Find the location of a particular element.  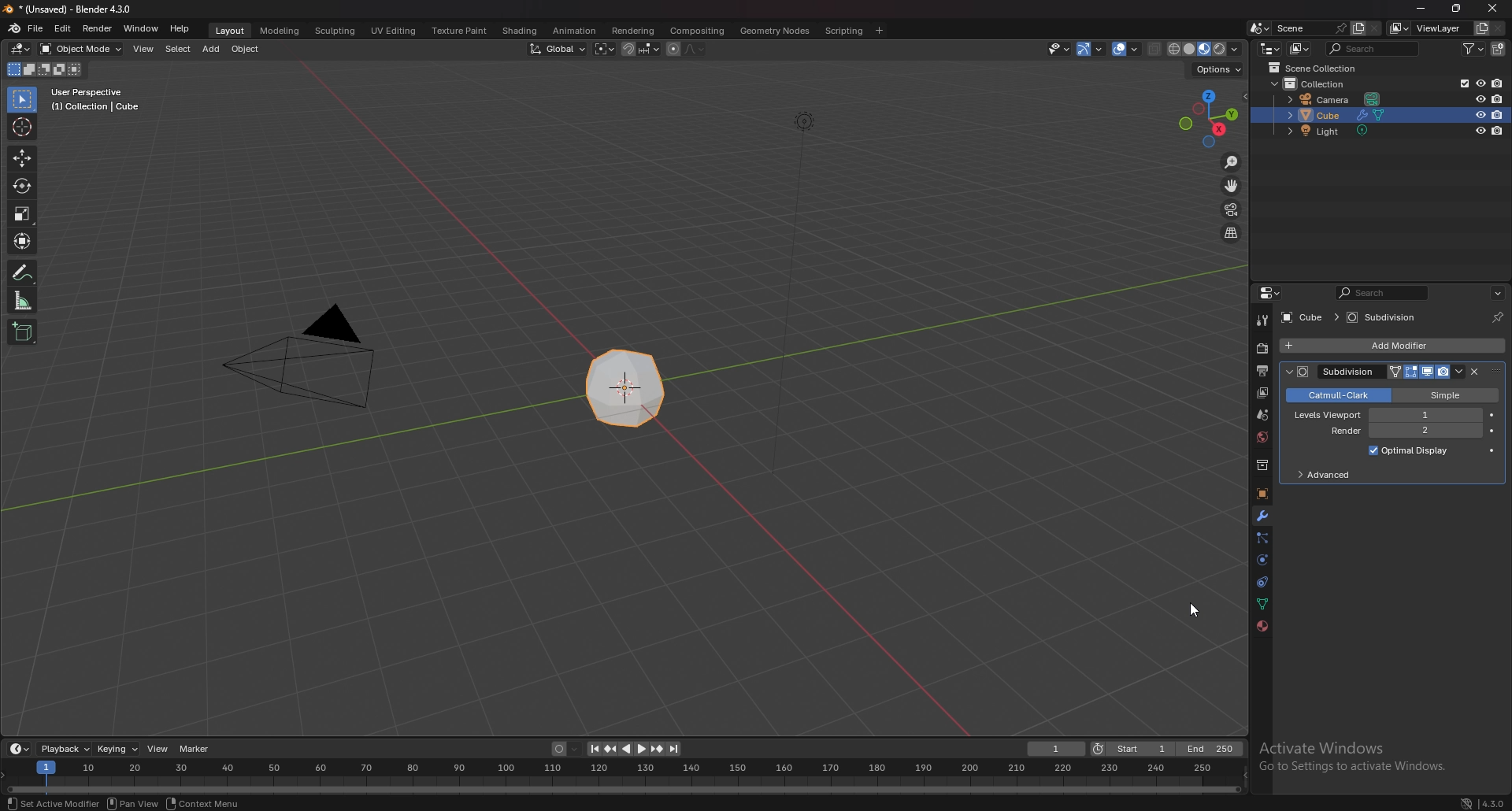

constraints is located at coordinates (1261, 581).